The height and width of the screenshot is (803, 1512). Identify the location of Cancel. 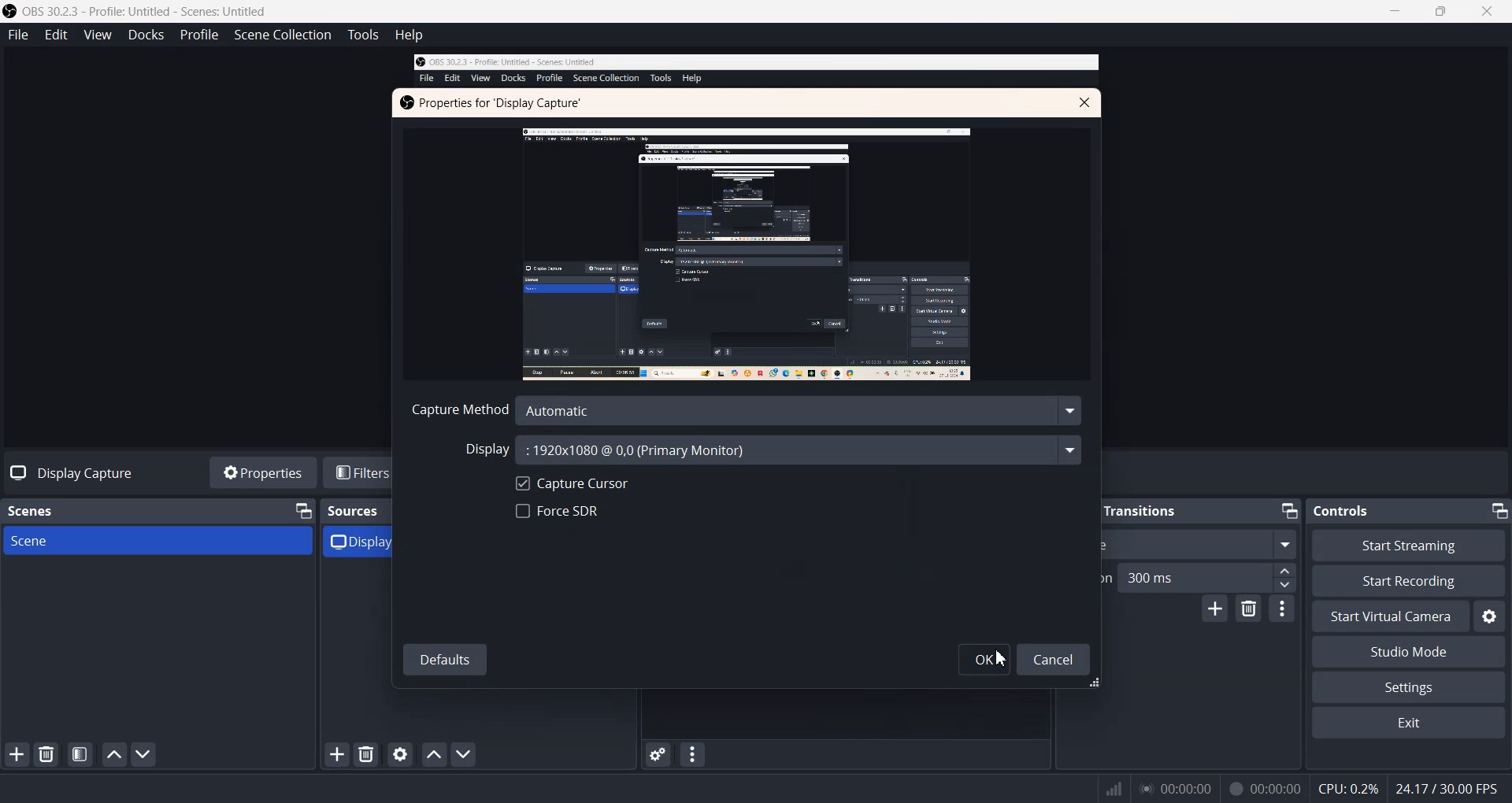
(1053, 661).